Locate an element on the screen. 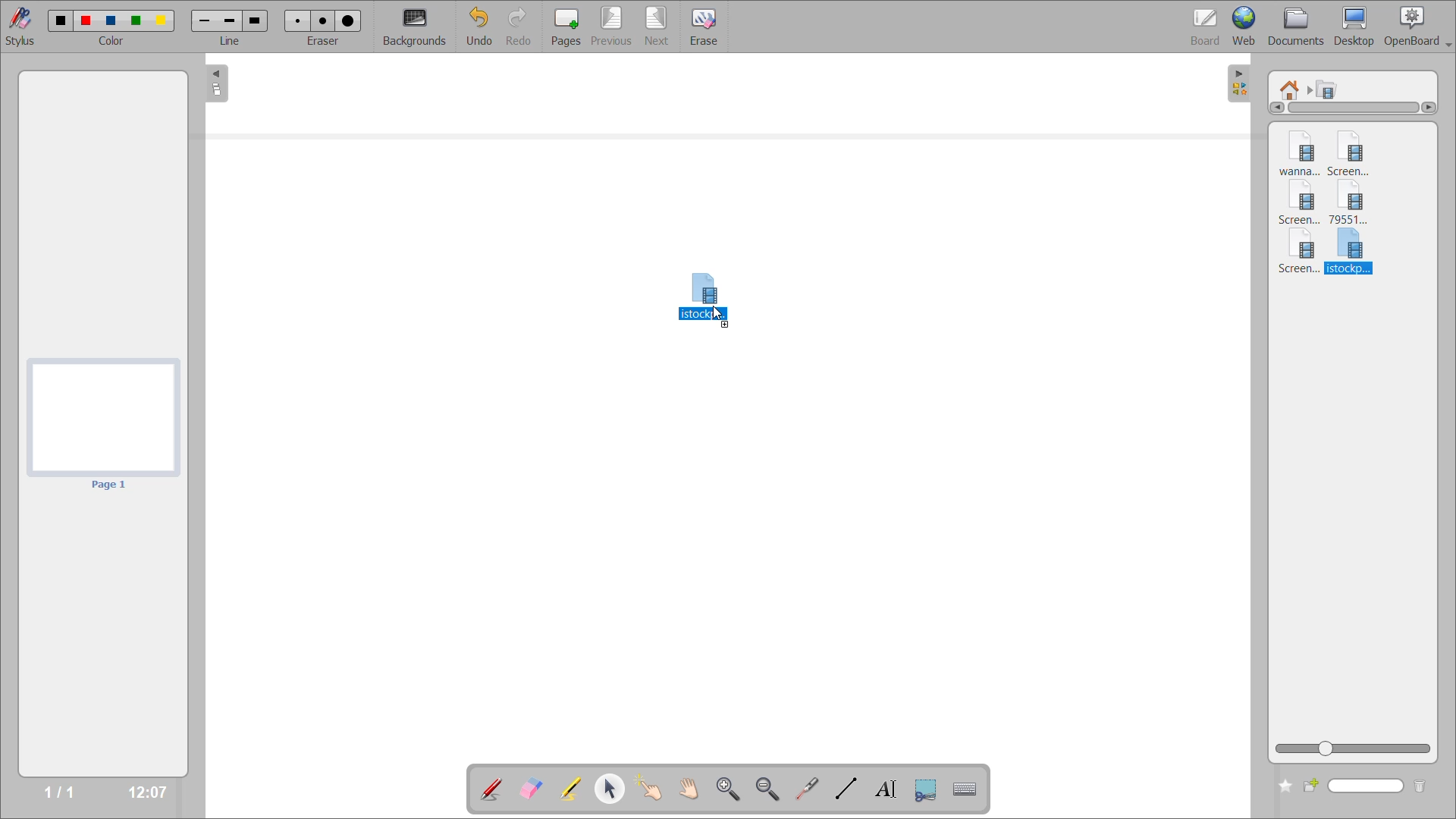  pages is located at coordinates (562, 24).